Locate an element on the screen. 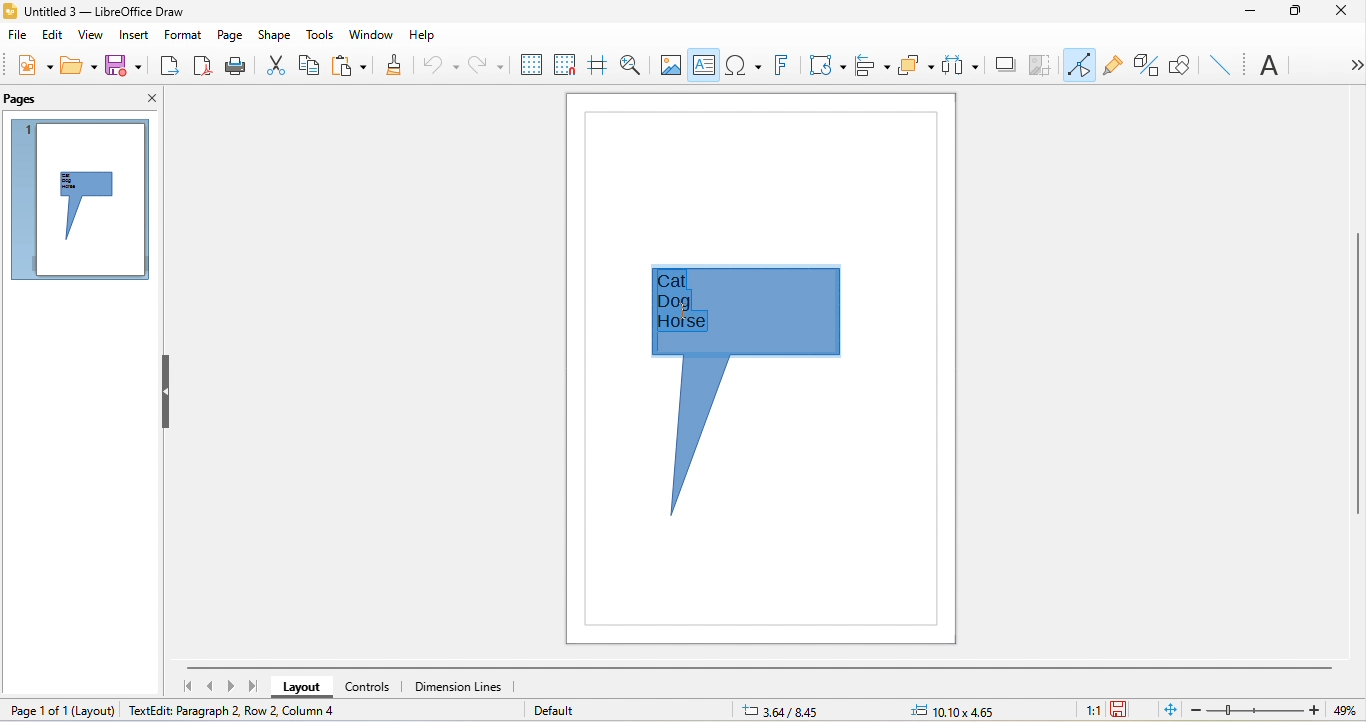 The image size is (1366, 722). transformation is located at coordinates (827, 68).